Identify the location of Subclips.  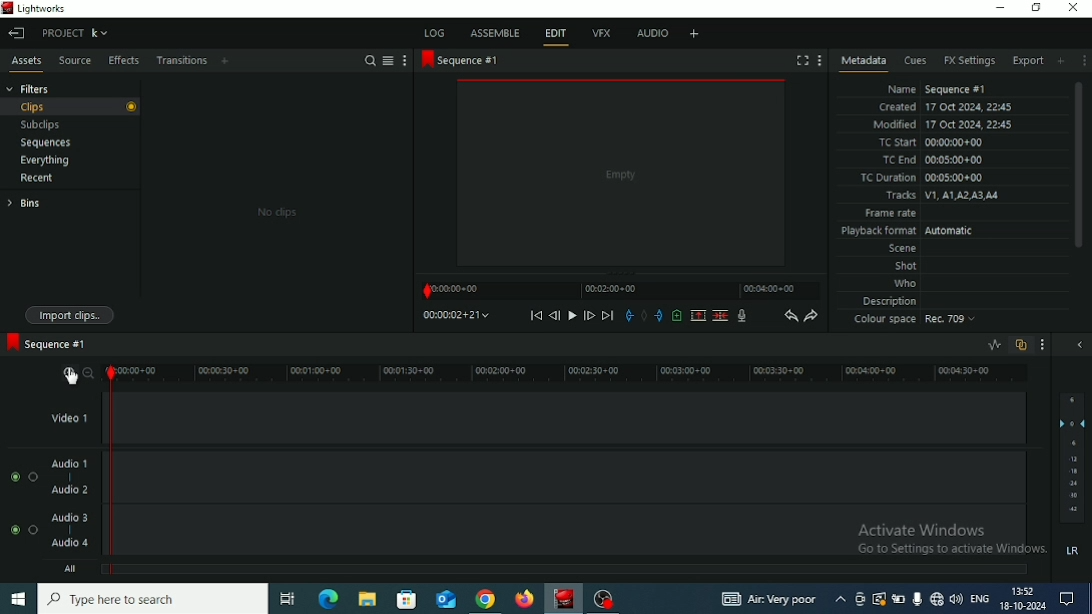
(40, 125).